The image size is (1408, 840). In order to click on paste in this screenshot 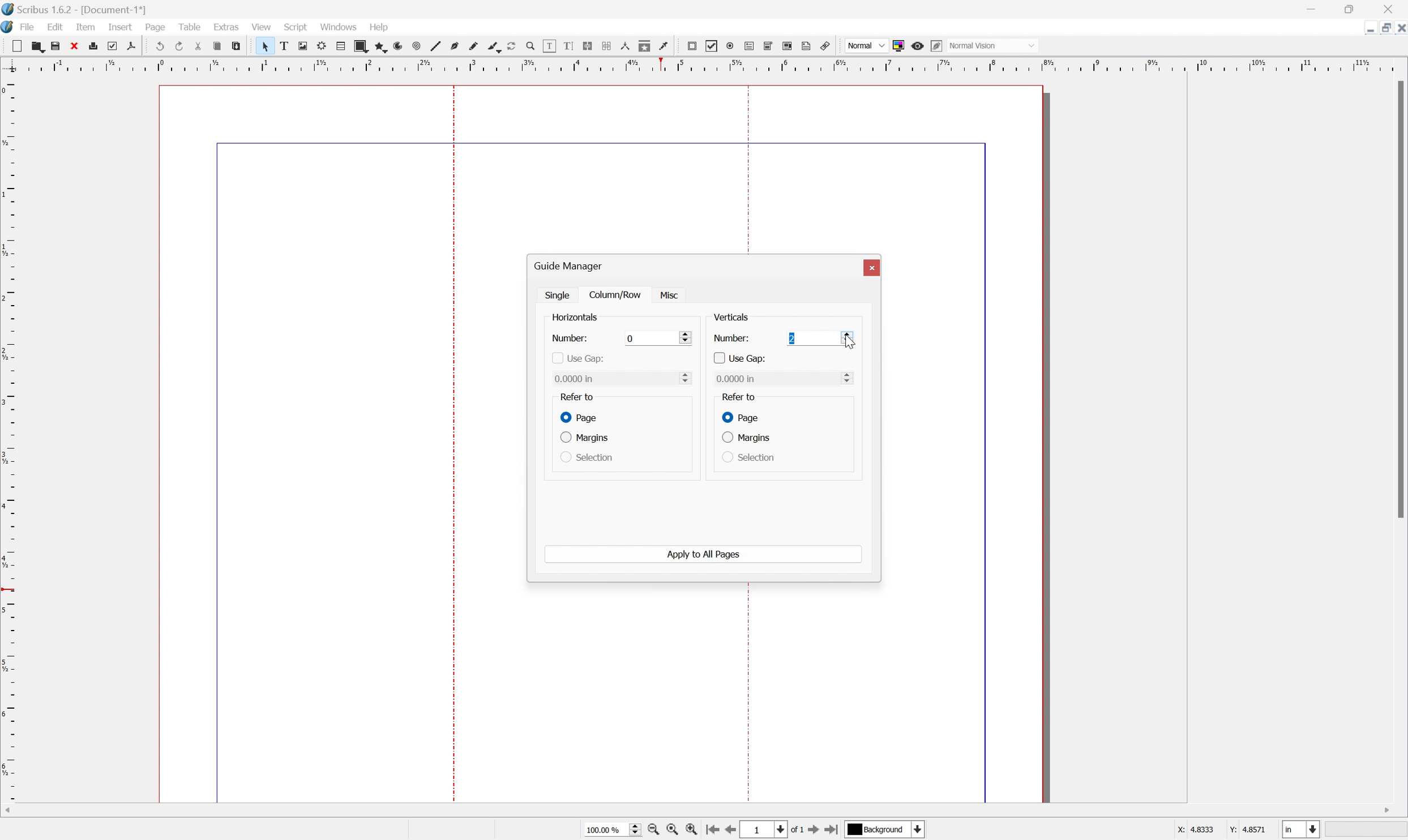, I will do `click(237, 46)`.